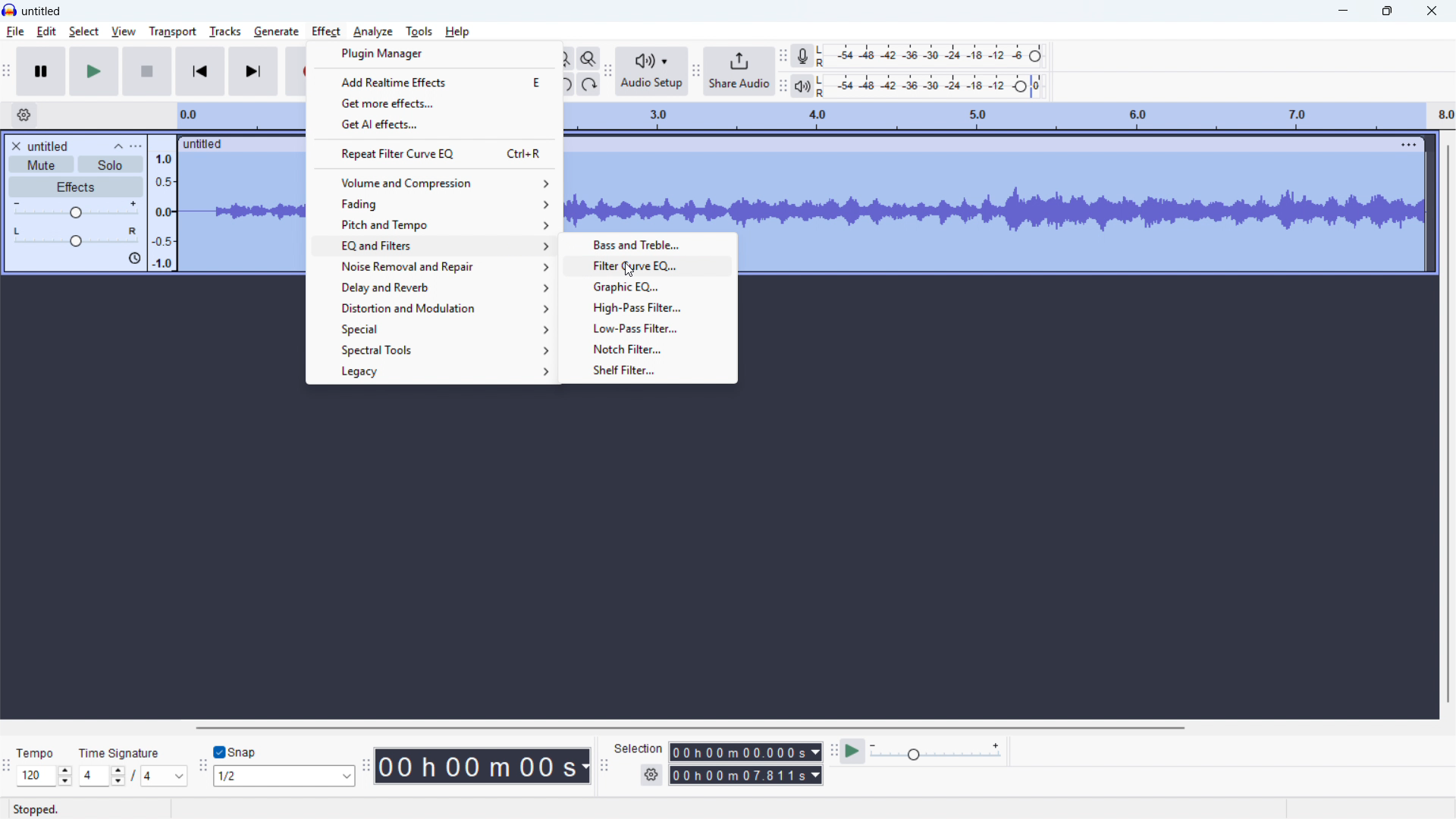  I want to click on timeline settings, so click(24, 115).